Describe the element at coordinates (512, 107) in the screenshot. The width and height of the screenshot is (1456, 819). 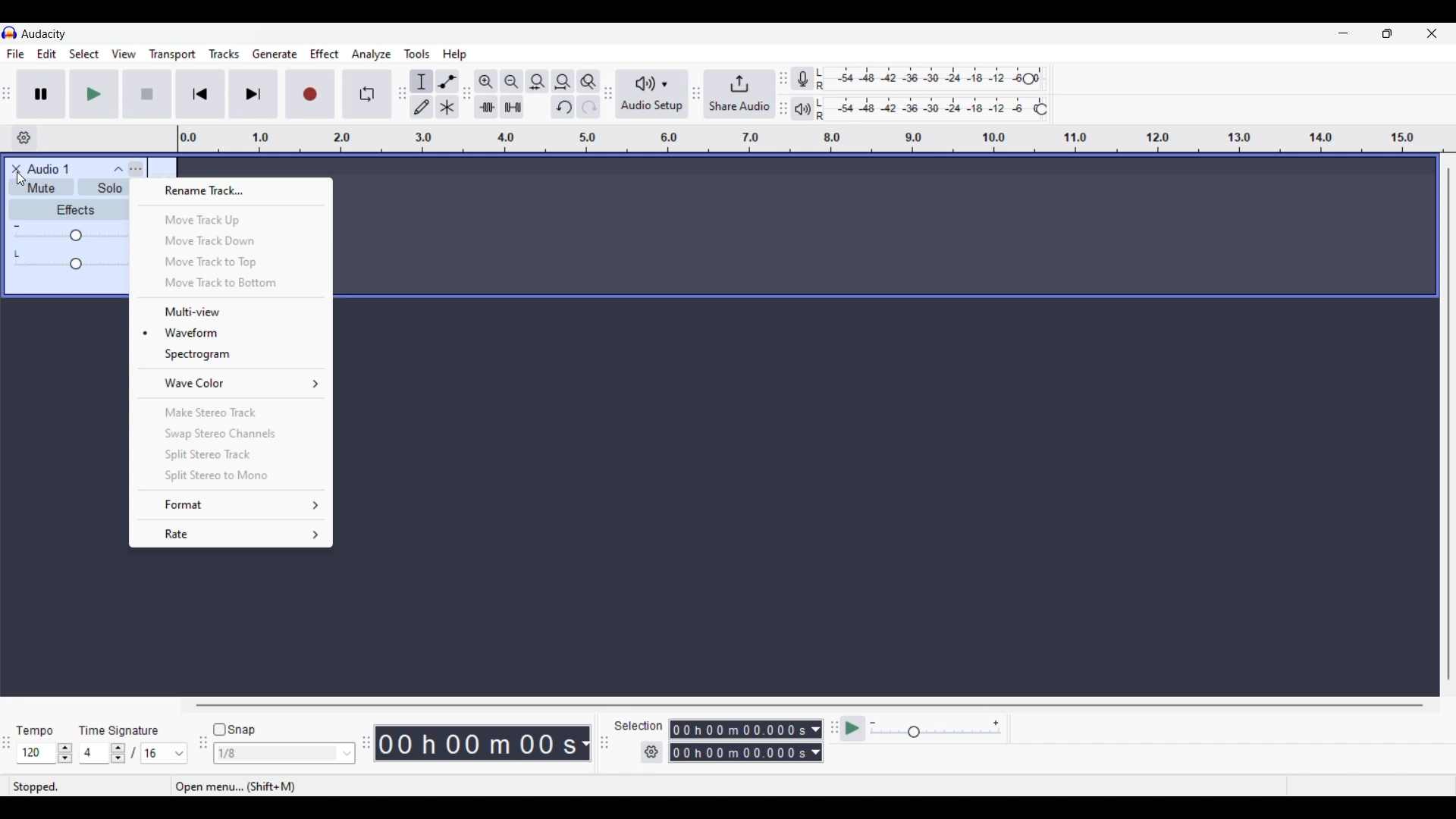
I see `Silence audio selection` at that location.